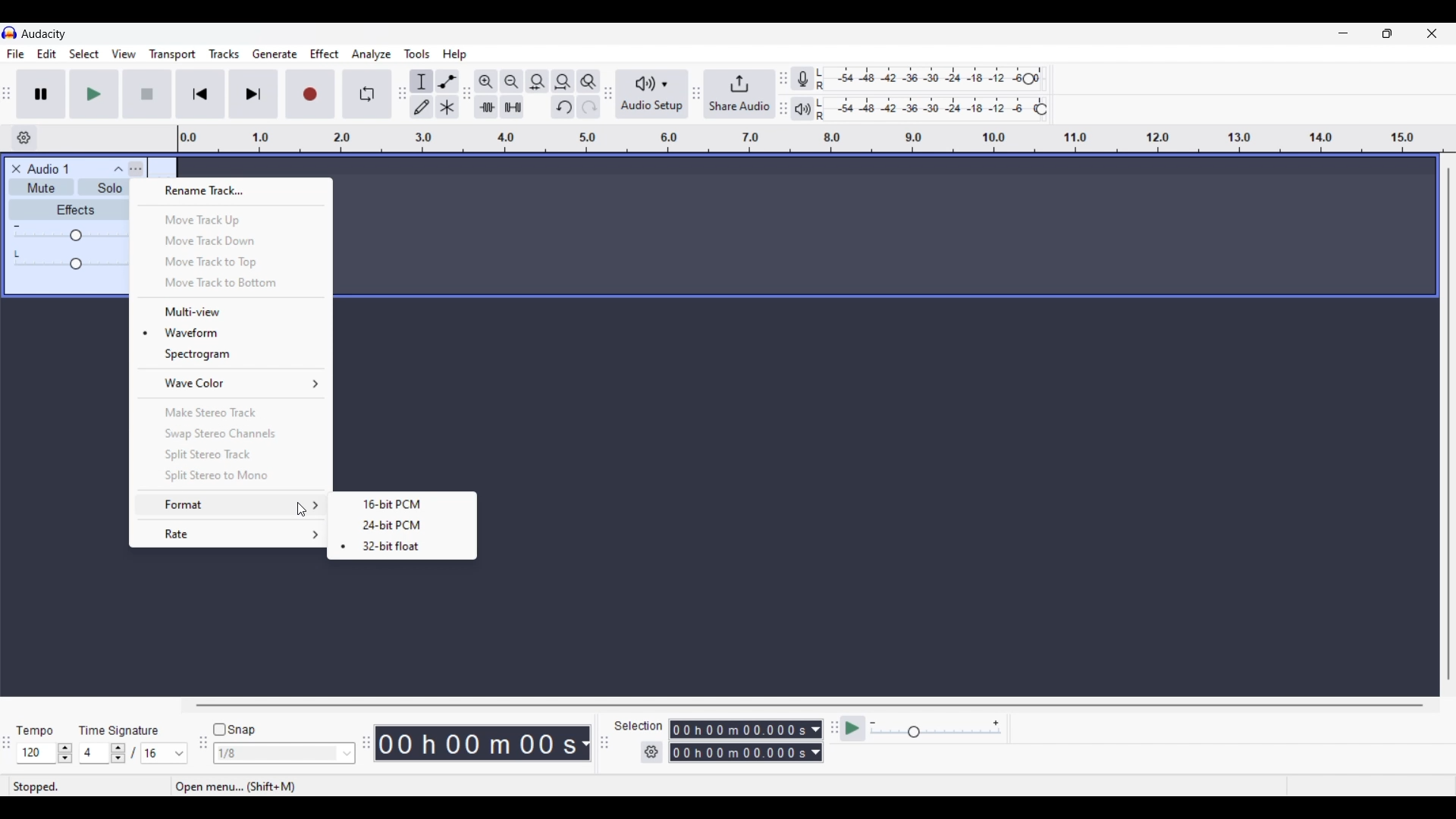  Describe the element at coordinates (563, 81) in the screenshot. I see `Fit project to width` at that location.